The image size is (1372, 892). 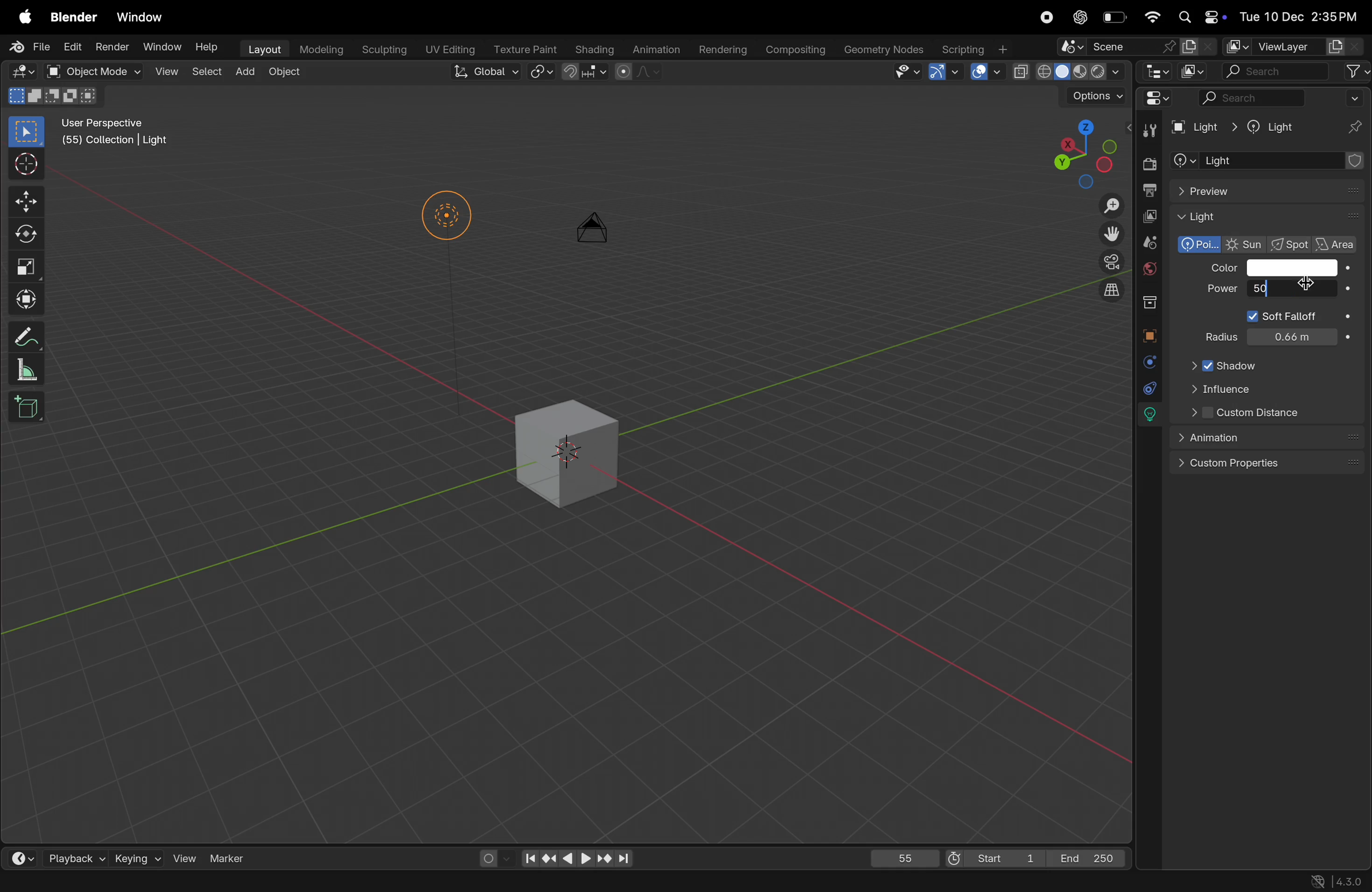 I want to click on Objects, so click(x=209, y=882).